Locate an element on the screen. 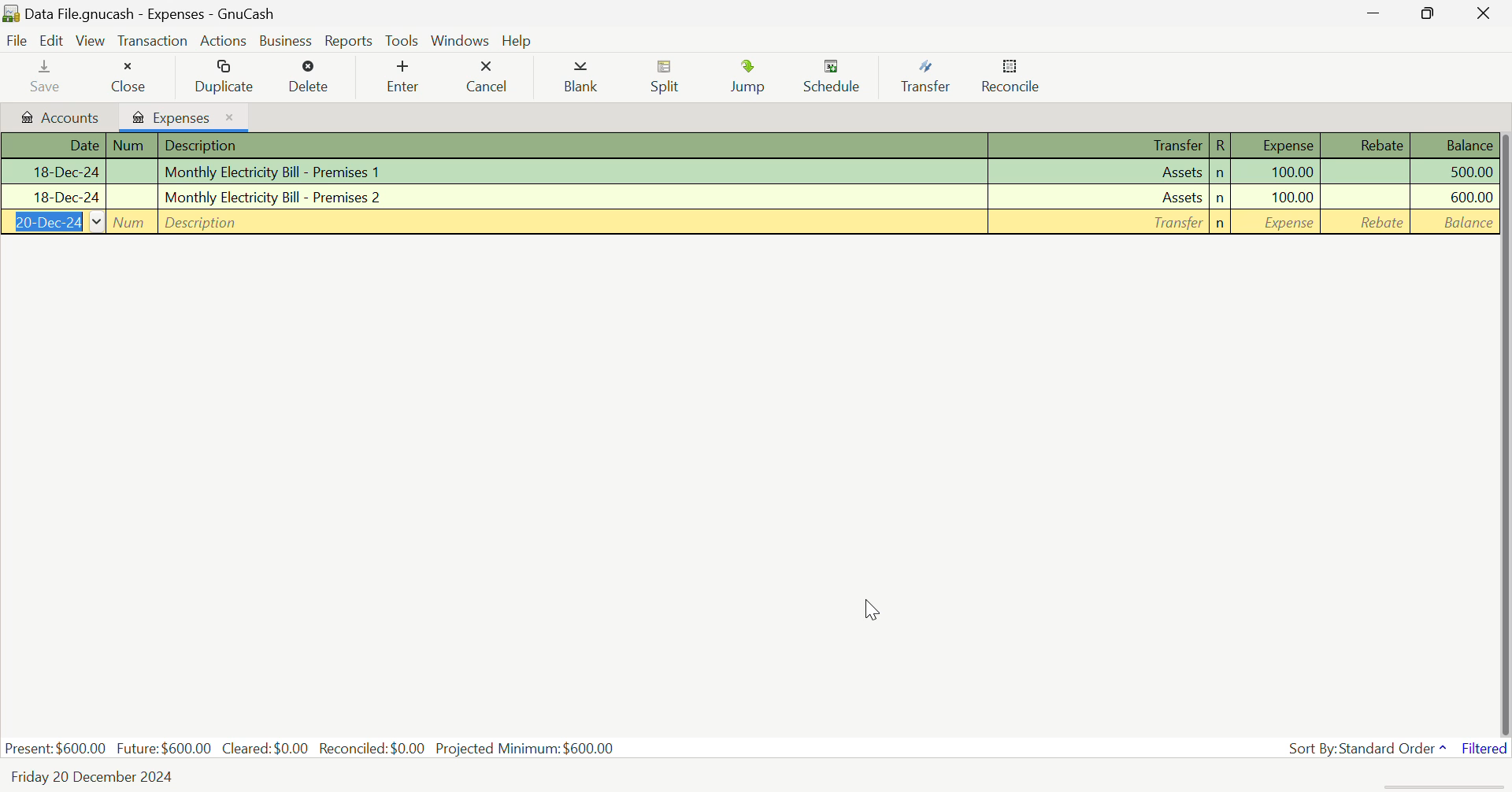 This screenshot has height=792, width=1512. tools is located at coordinates (402, 41).